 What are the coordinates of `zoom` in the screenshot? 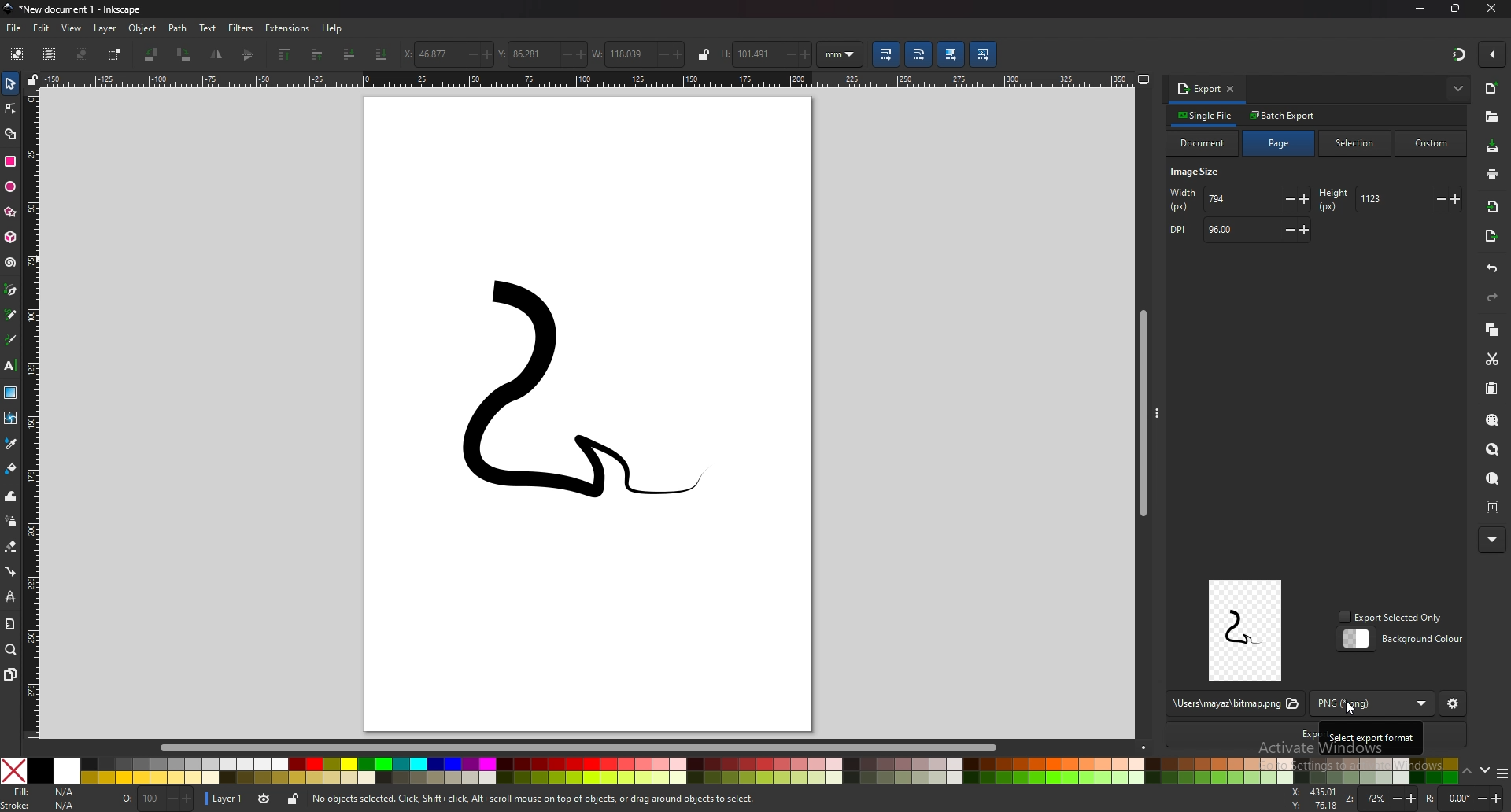 It's located at (1383, 799).